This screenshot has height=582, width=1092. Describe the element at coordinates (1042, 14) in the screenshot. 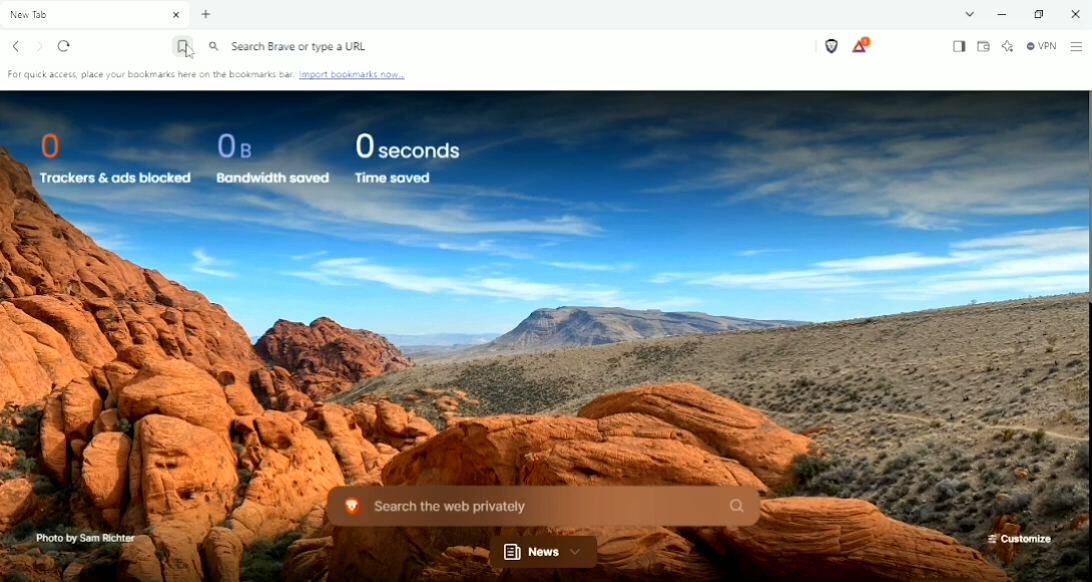

I see `Restore down` at that location.